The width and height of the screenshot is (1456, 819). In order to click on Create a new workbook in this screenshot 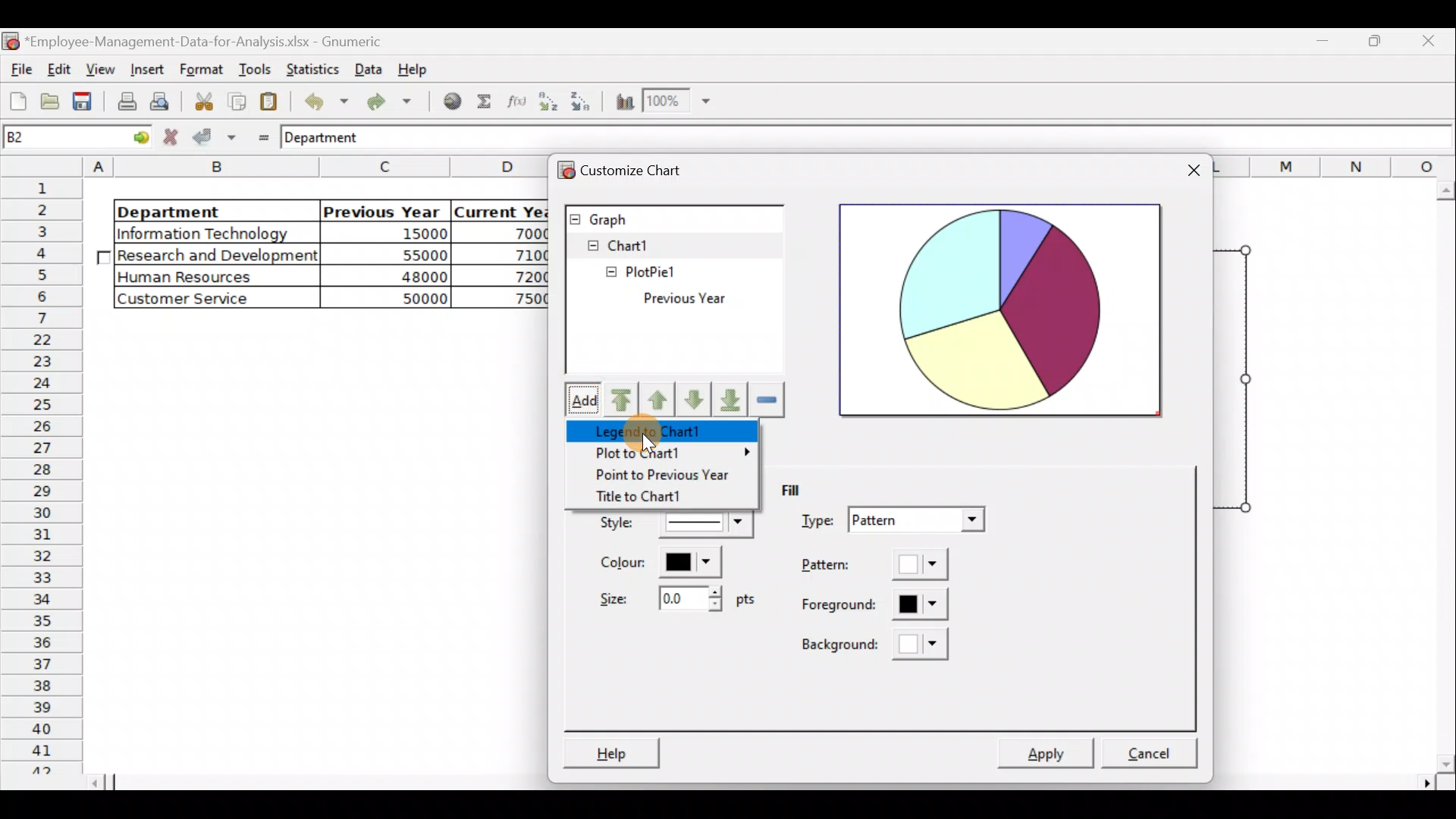, I will do `click(18, 101)`.